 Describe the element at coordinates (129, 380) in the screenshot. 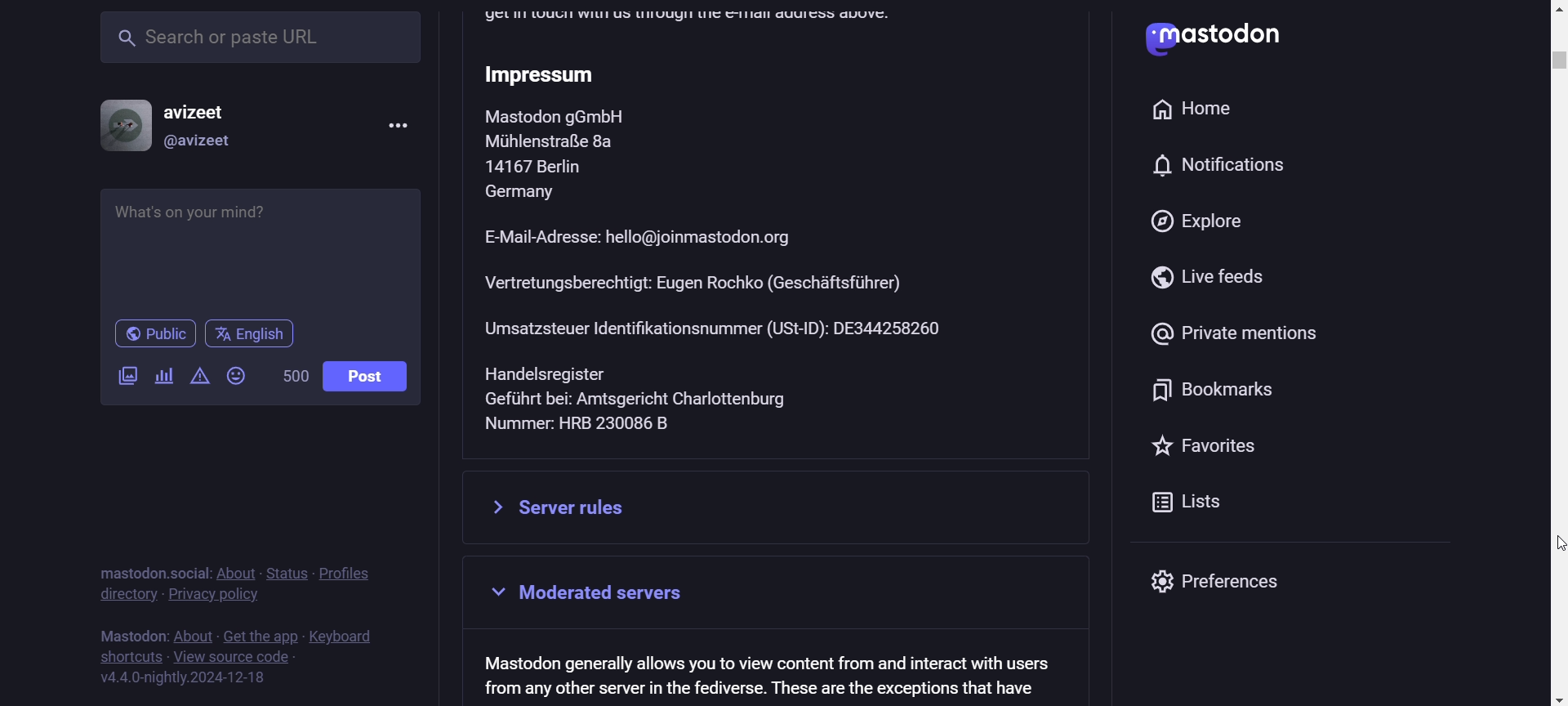

I see `add a image` at that location.